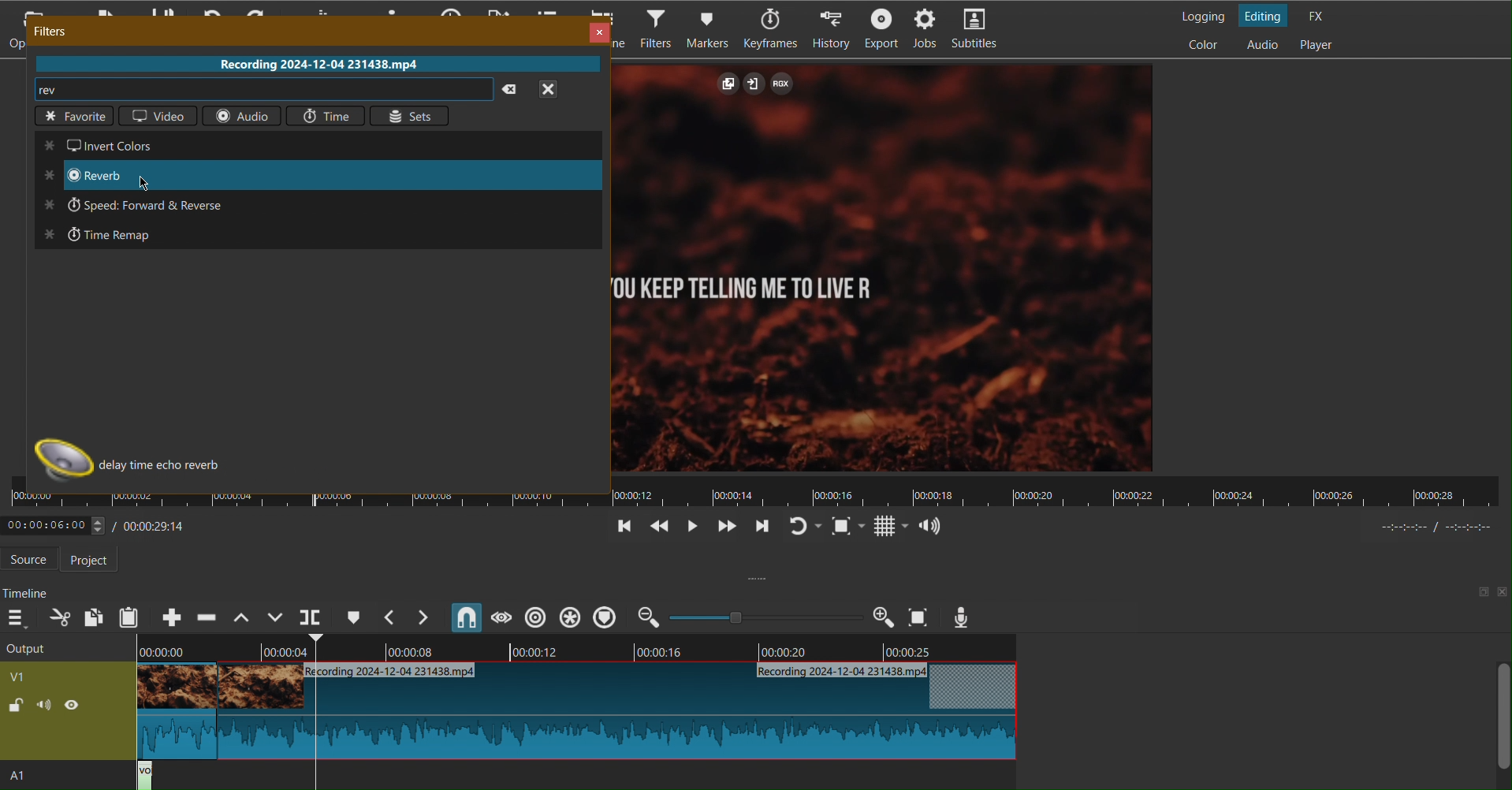  What do you see at coordinates (878, 28) in the screenshot?
I see `Export` at bounding box center [878, 28].